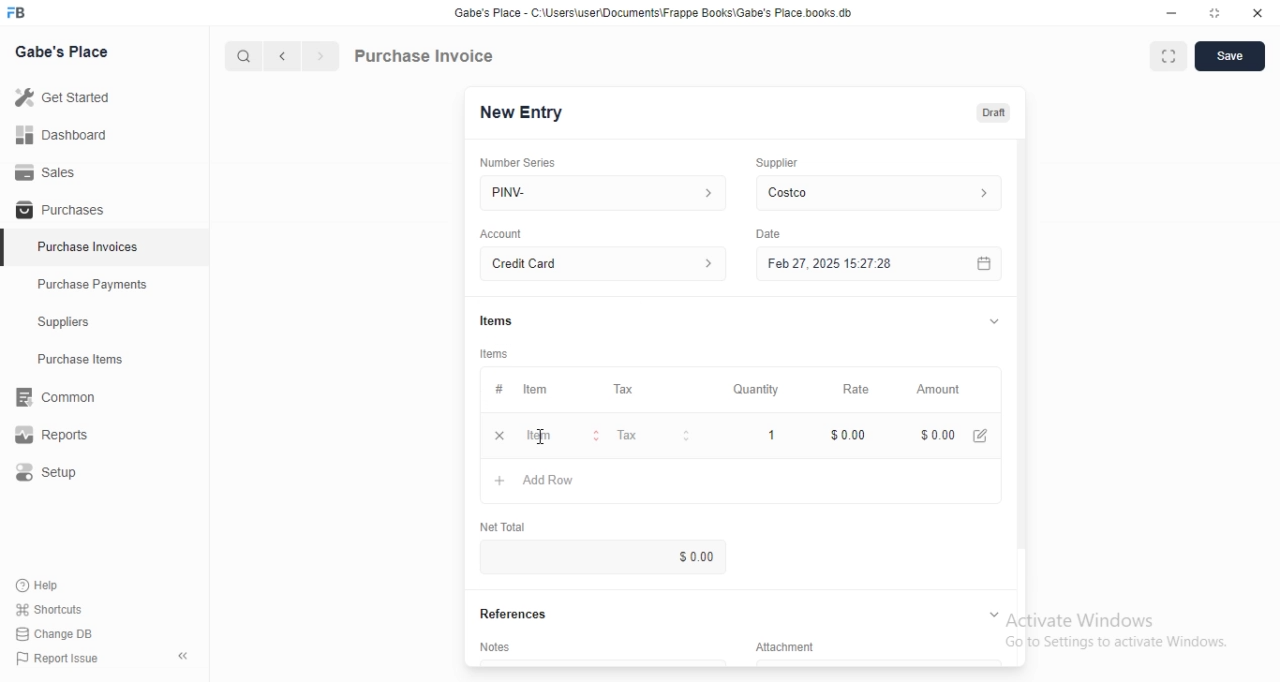 This screenshot has height=682, width=1280. I want to click on $0.00, so click(938, 435).